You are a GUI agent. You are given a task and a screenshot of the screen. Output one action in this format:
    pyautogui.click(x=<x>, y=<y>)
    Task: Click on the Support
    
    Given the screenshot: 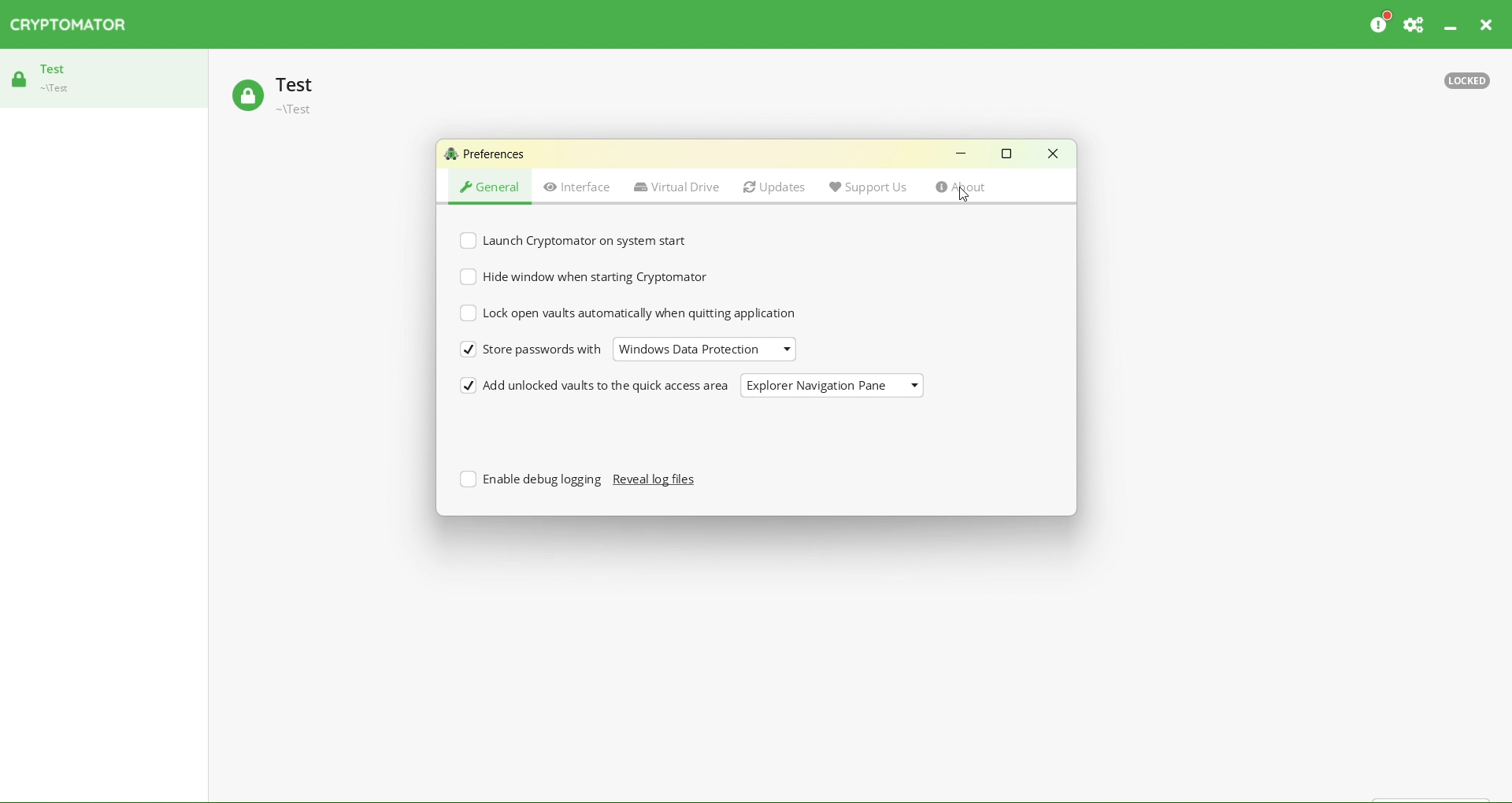 What is the action you would take?
    pyautogui.click(x=1417, y=24)
    